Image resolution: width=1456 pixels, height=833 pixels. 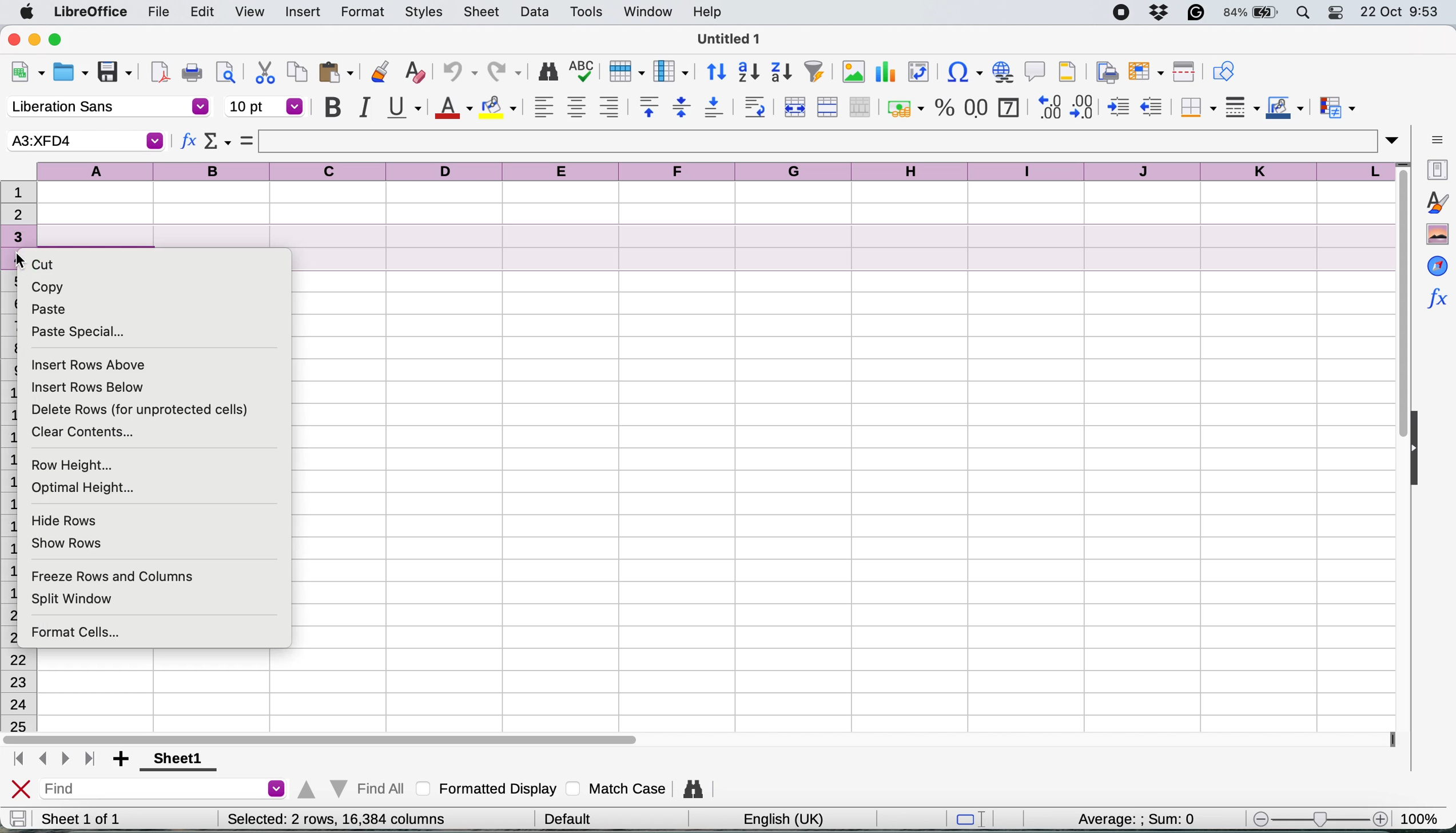 What do you see at coordinates (483, 11) in the screenshot?
I see `sheet` at bounding box center [483, 11].